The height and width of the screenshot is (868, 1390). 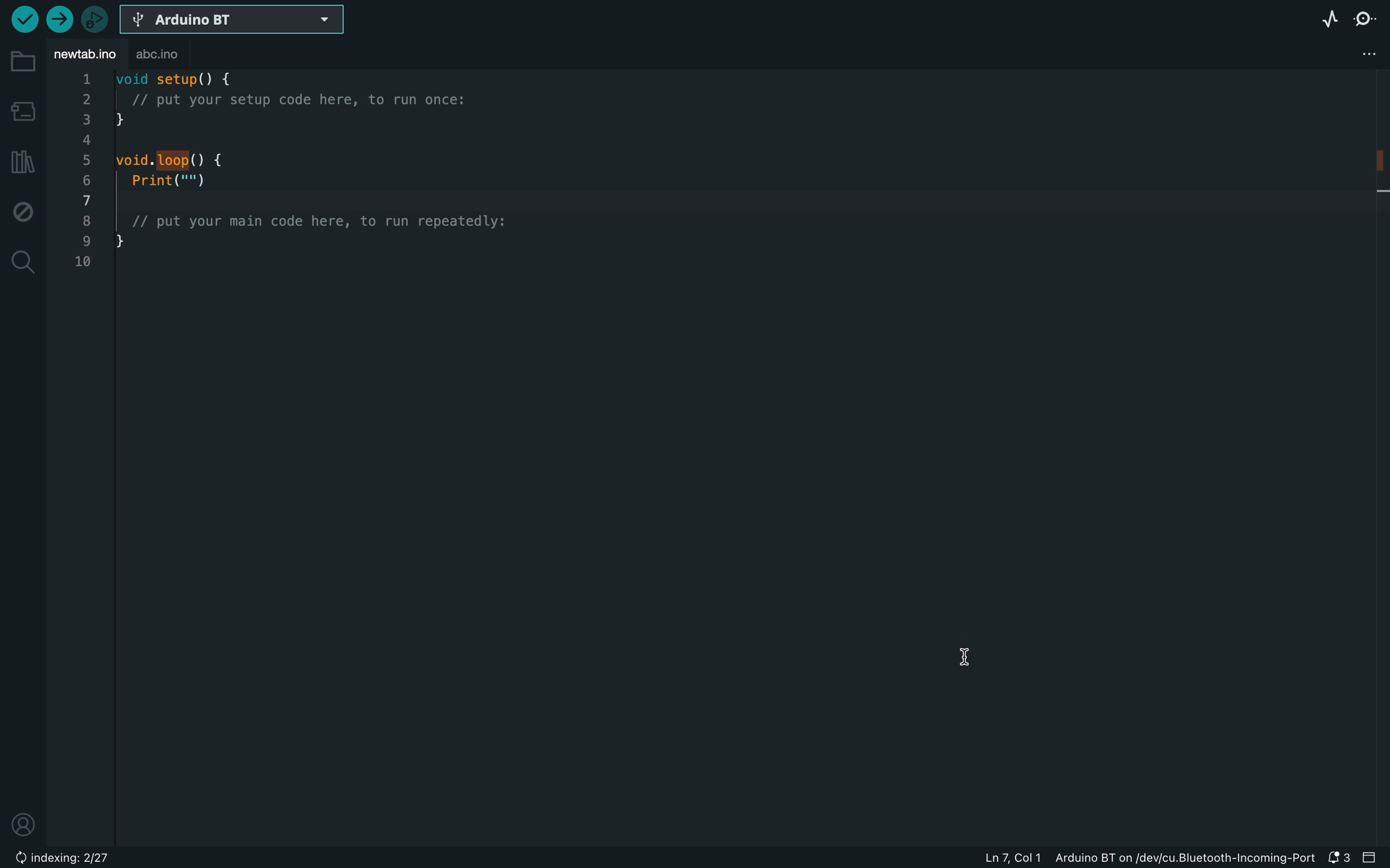 I want to click on search, so click(x=22, y=261).